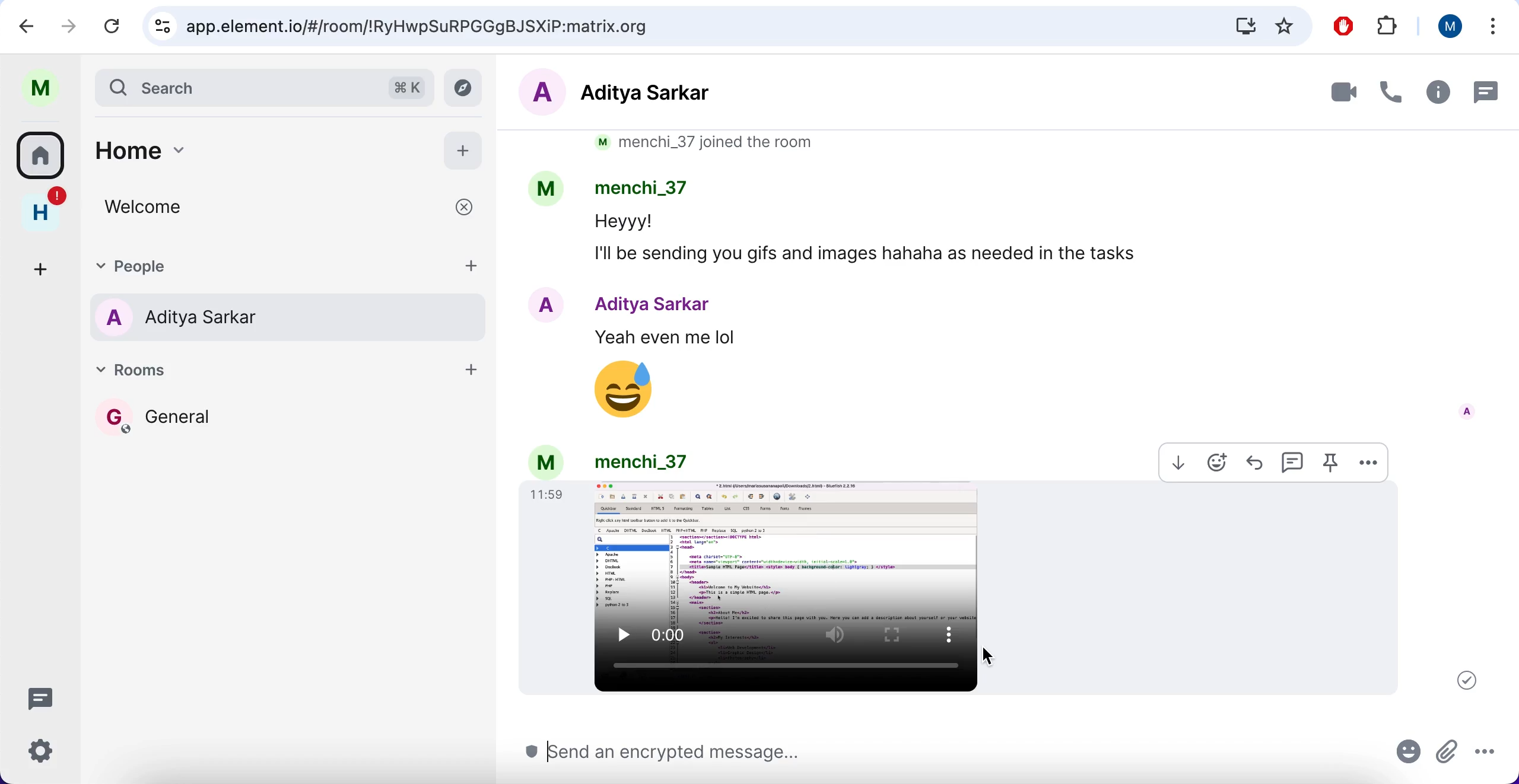 The image size is (1519, 784). What do you see at coordinates (1290, 461) in the screenshot?
I see `chat` at bounding box center [1290, 461].